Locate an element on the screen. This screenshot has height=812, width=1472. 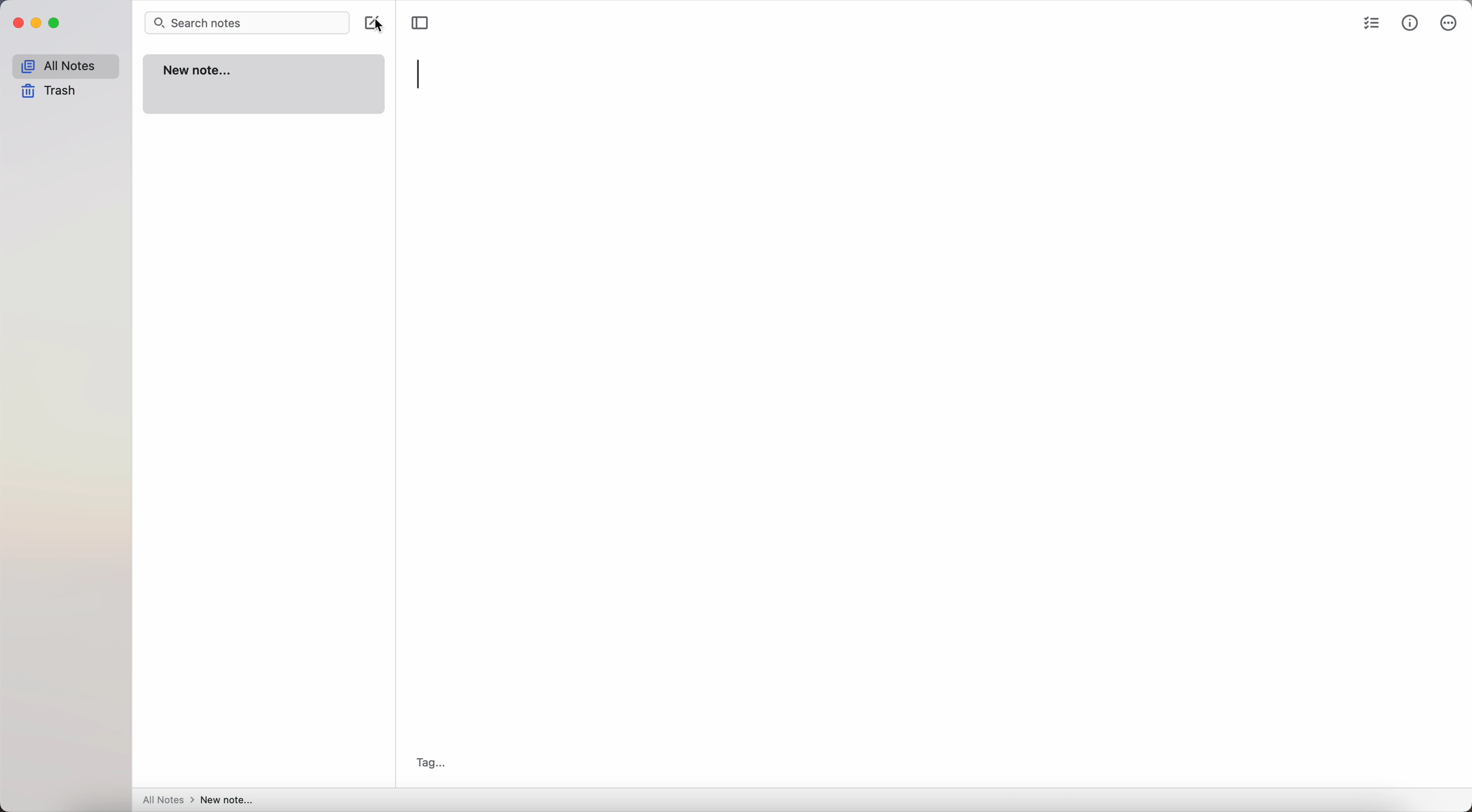
create note is located at coordinates (365, 22).